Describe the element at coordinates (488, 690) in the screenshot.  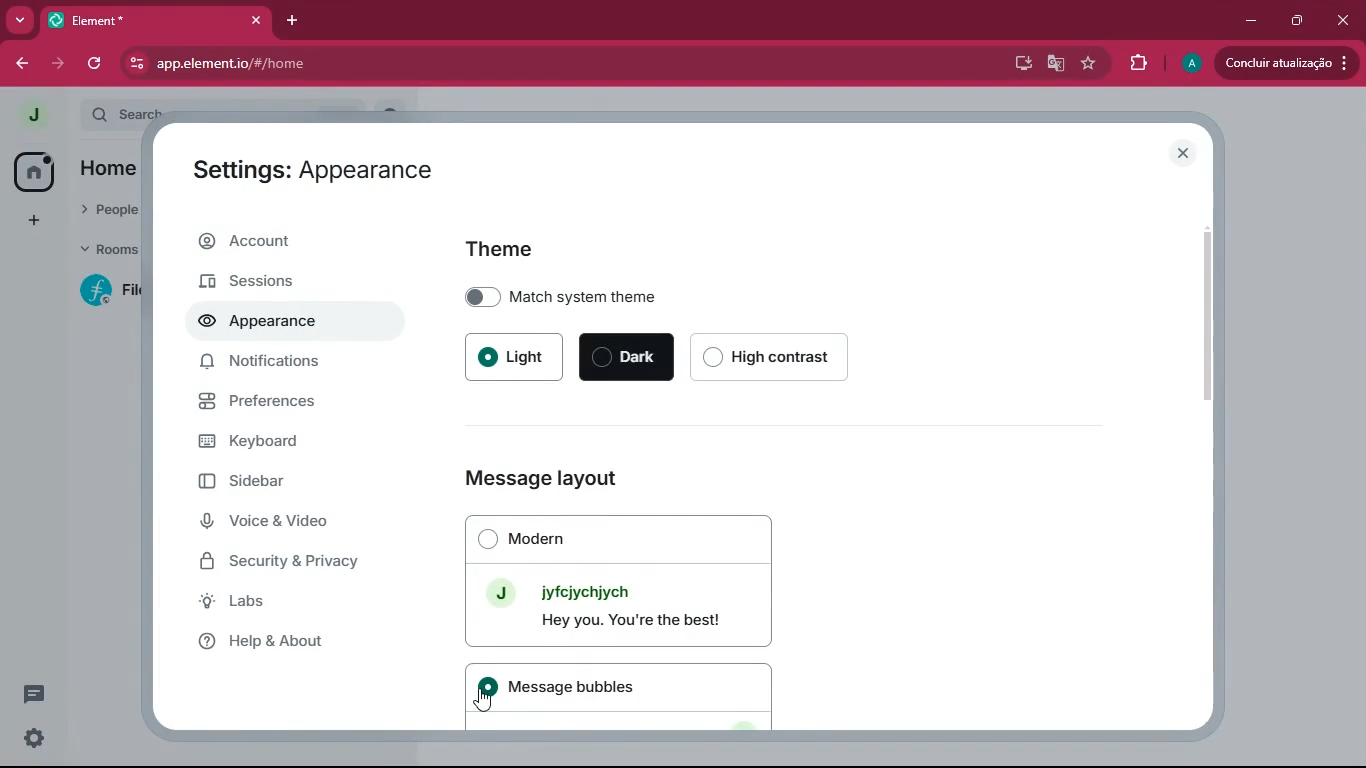
I see `on` at that location.